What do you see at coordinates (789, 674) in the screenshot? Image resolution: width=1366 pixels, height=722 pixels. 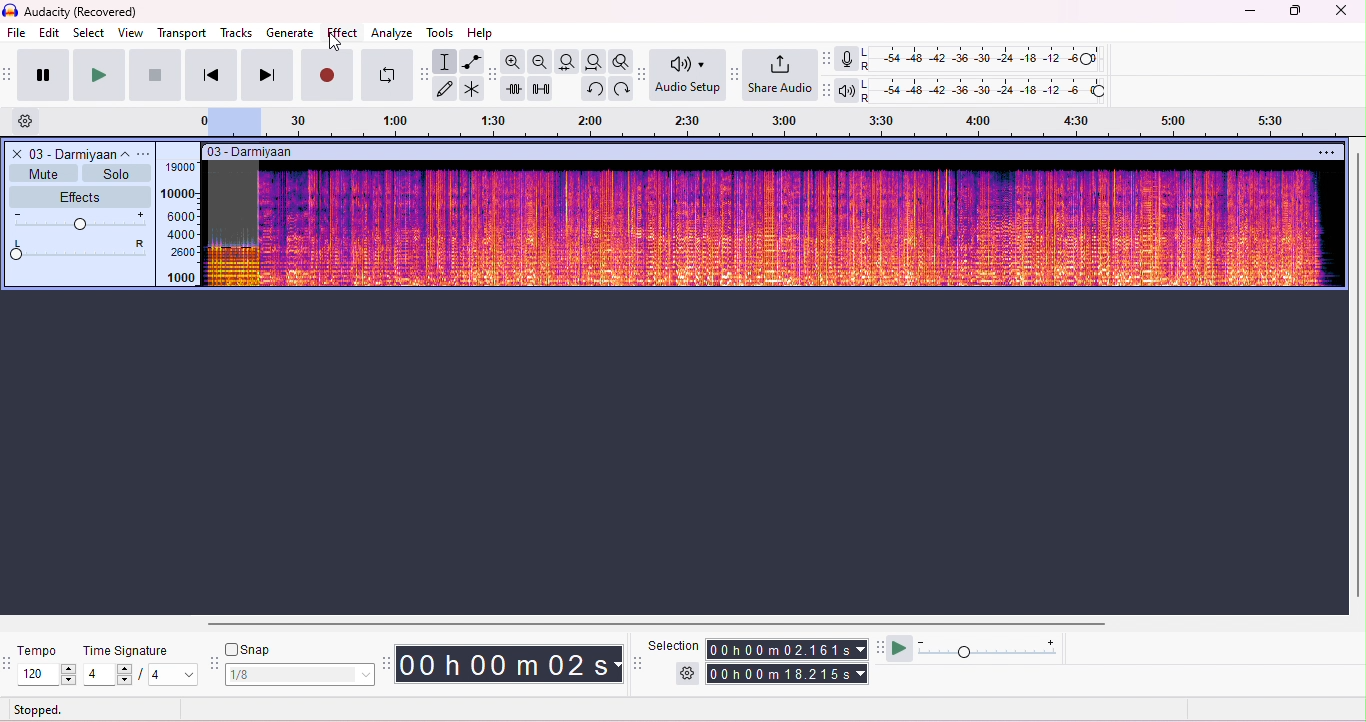 I see `total time` at bounding box center [789, 674].